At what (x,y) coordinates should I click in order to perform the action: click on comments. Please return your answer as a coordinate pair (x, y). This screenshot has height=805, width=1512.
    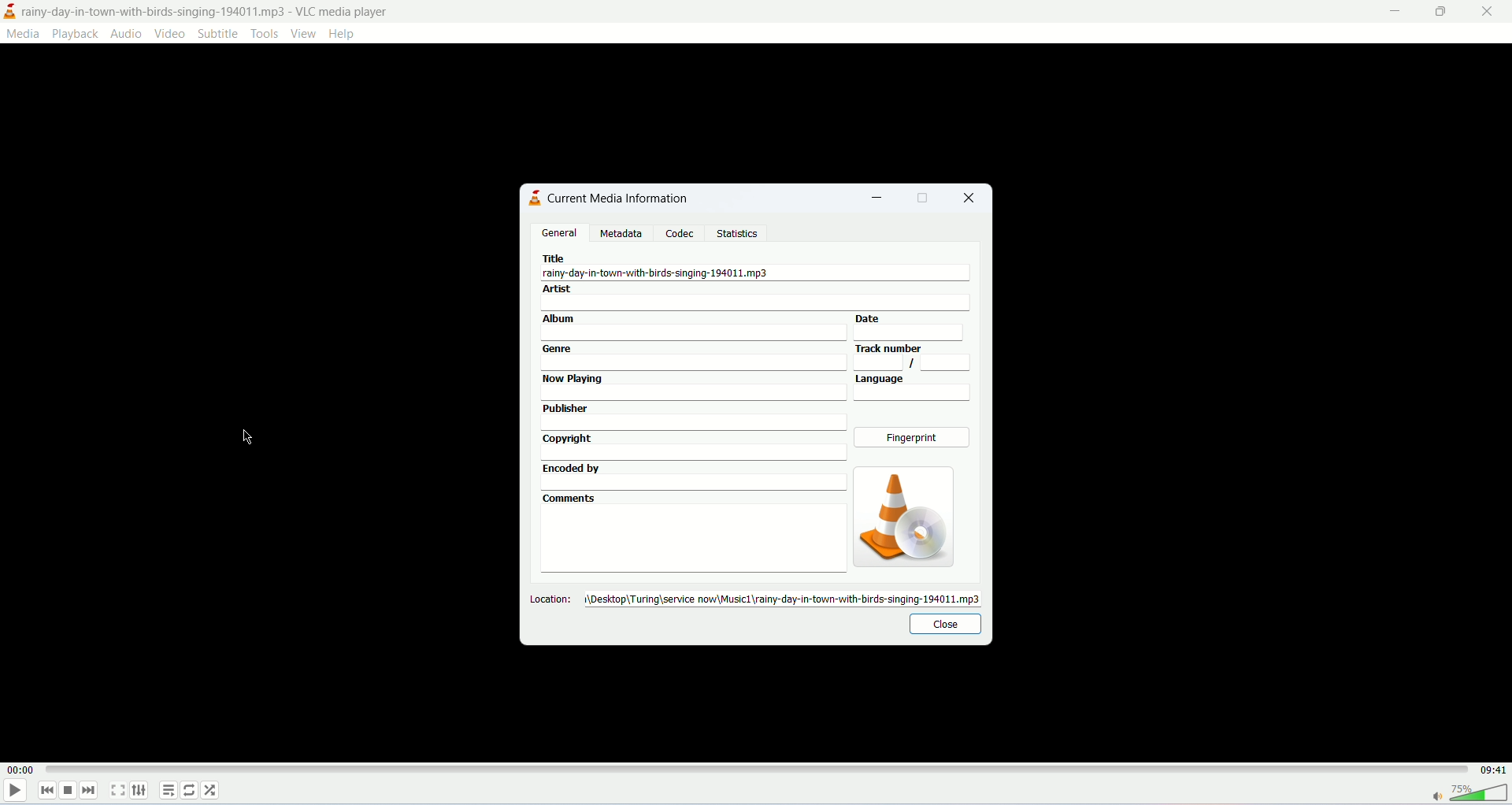
    Looking at the image, I should click on (691, 529).